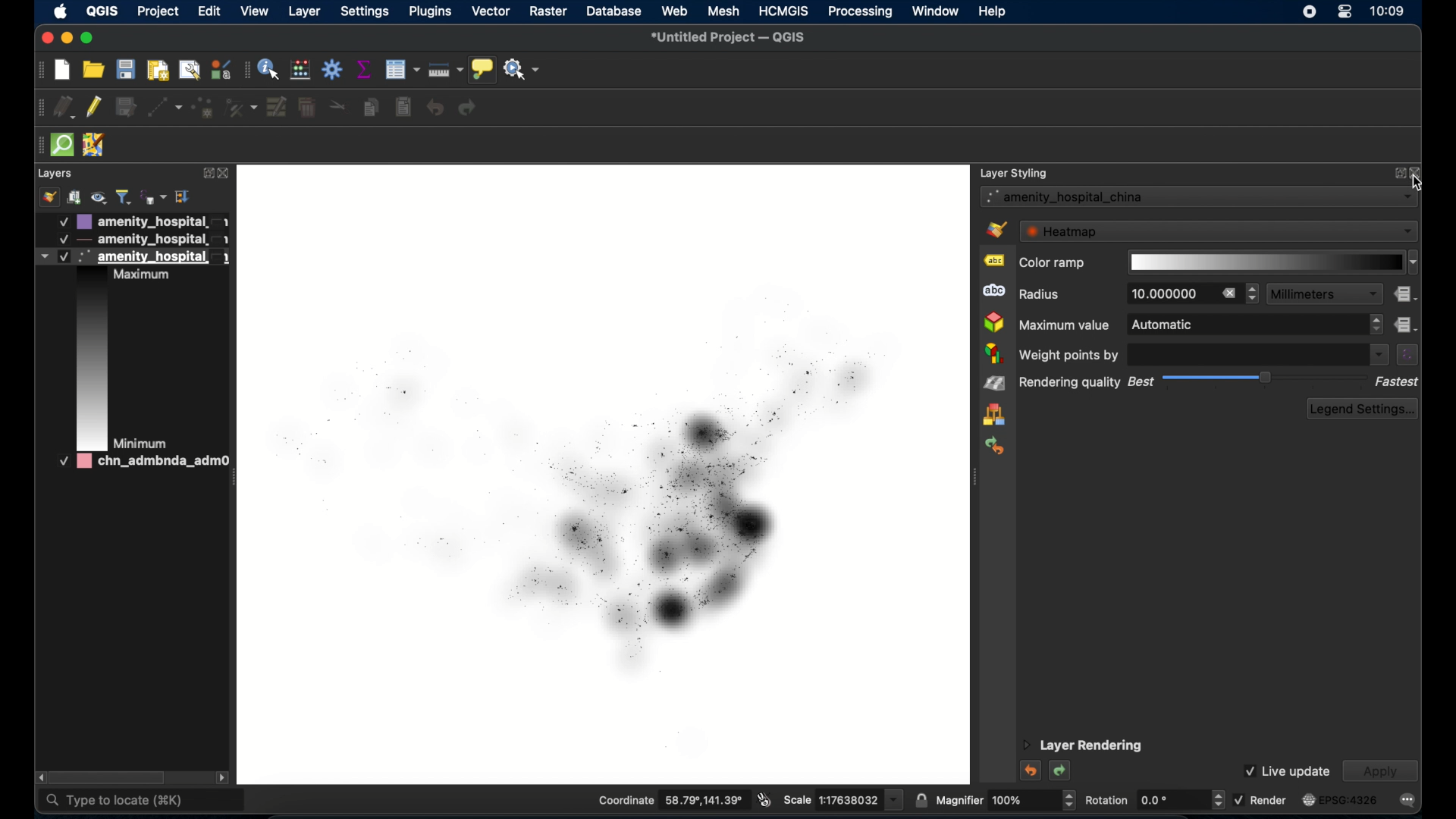 The height and width of the screenshot is (819, 1456). Describe the element at coordinates (1260, 799) in the screenshot. I see `render` at that location.